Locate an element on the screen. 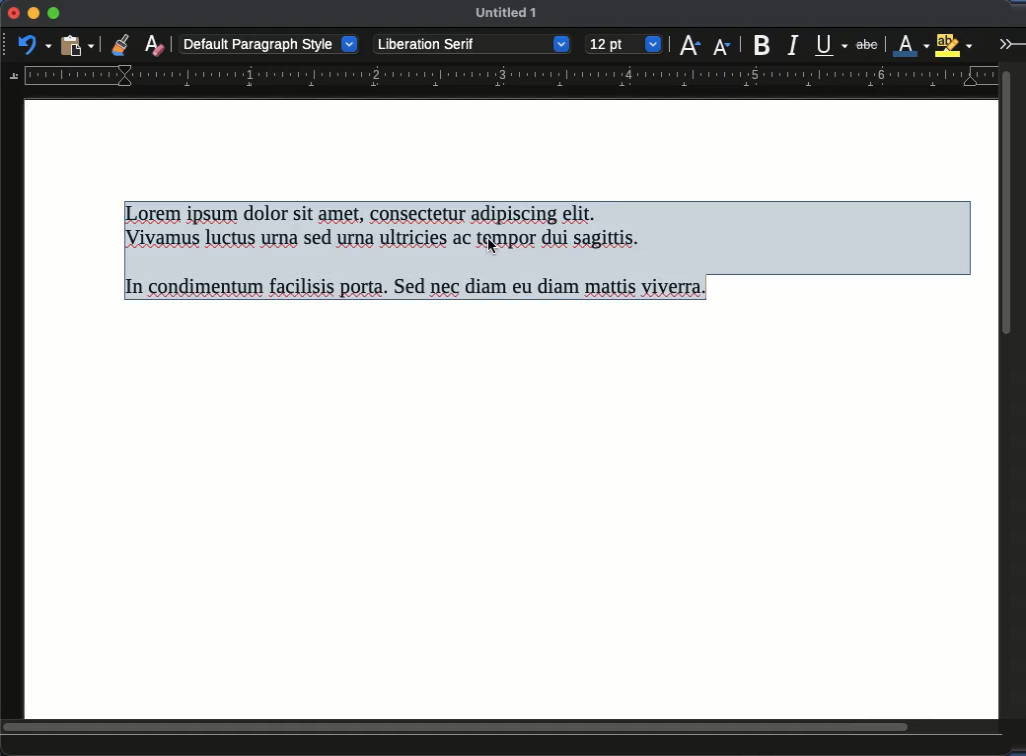 This screenshot has width=1026, height=756. underline  is located at coordinates (832, 45).